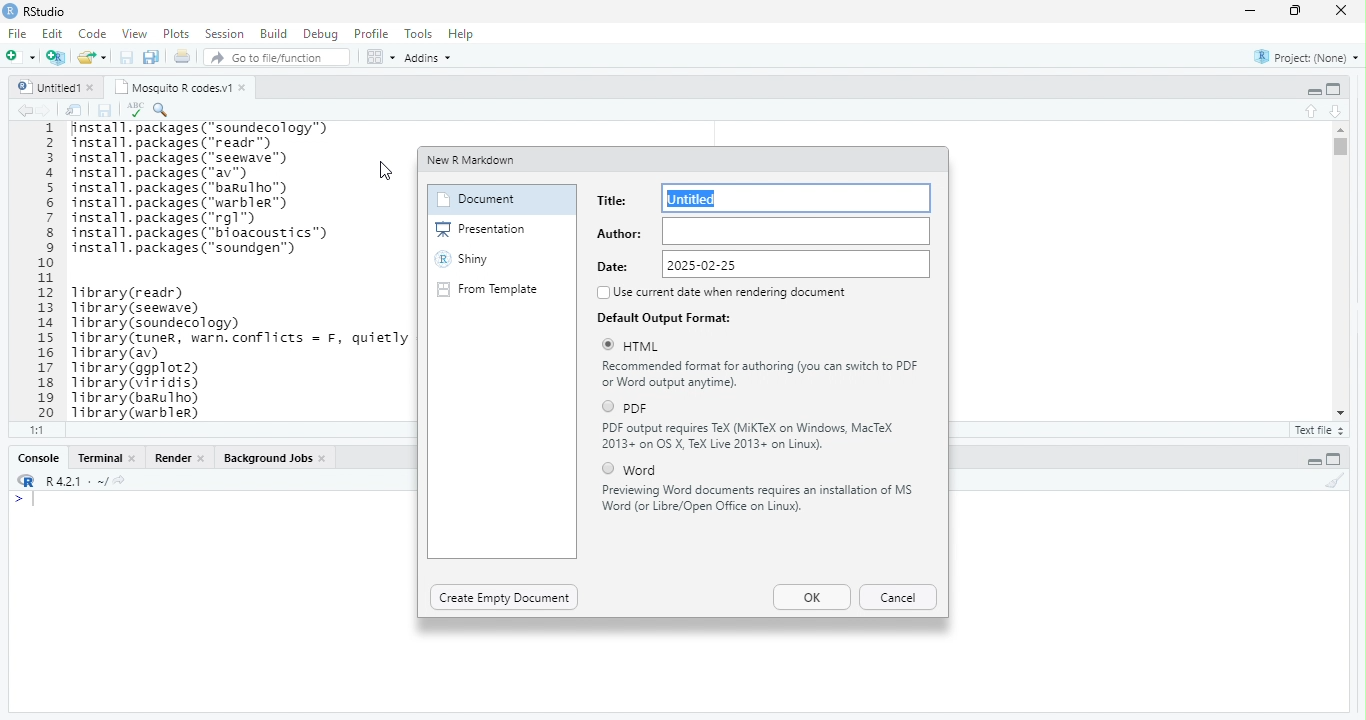  What do you see at coordinates (75, 110) in the screenshot?
I see `search in doc` at bounding box center [75, 110].